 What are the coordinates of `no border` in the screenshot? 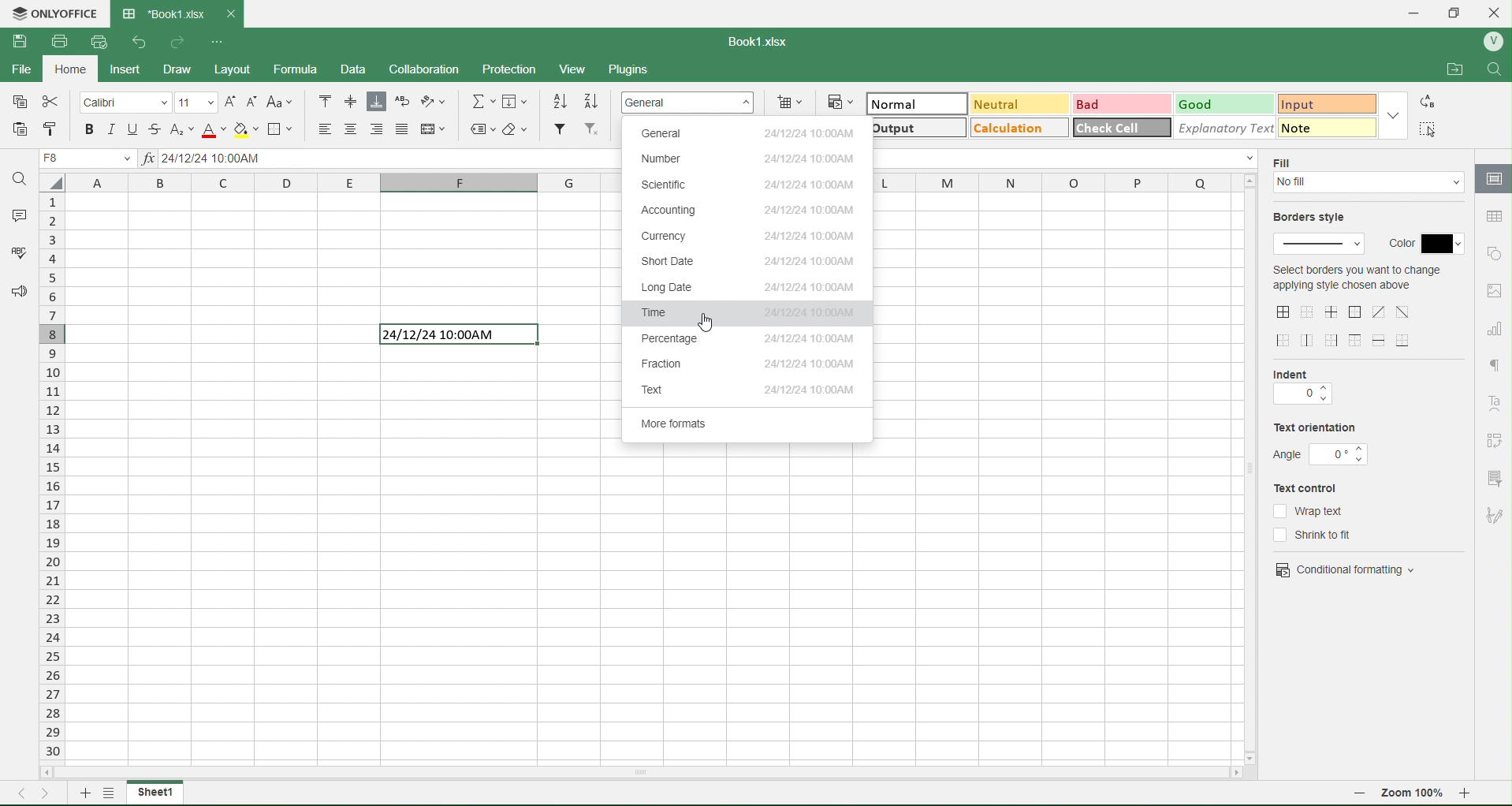 It's located at (1307, 312).